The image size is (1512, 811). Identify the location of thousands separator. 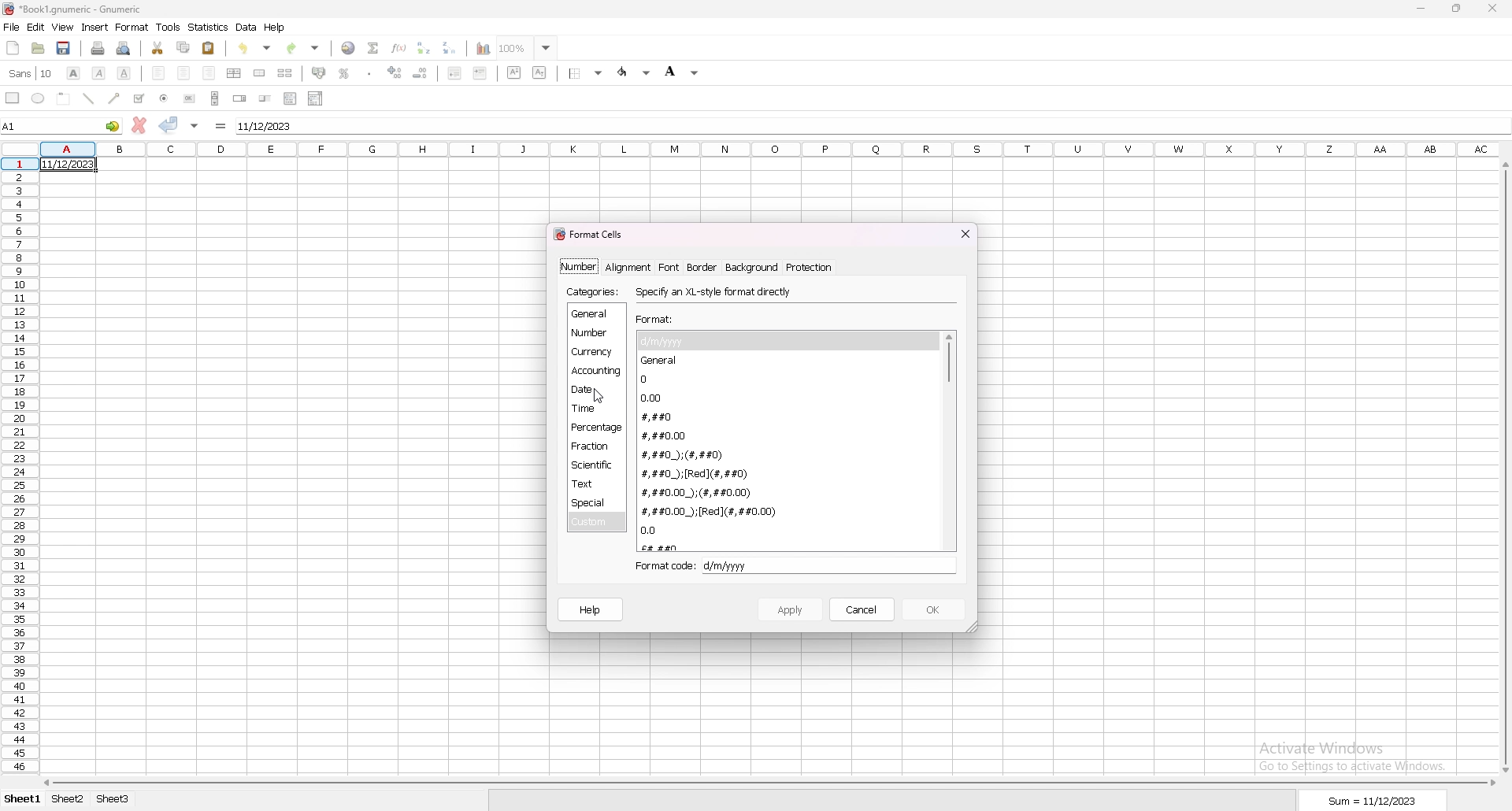
(370, 72).